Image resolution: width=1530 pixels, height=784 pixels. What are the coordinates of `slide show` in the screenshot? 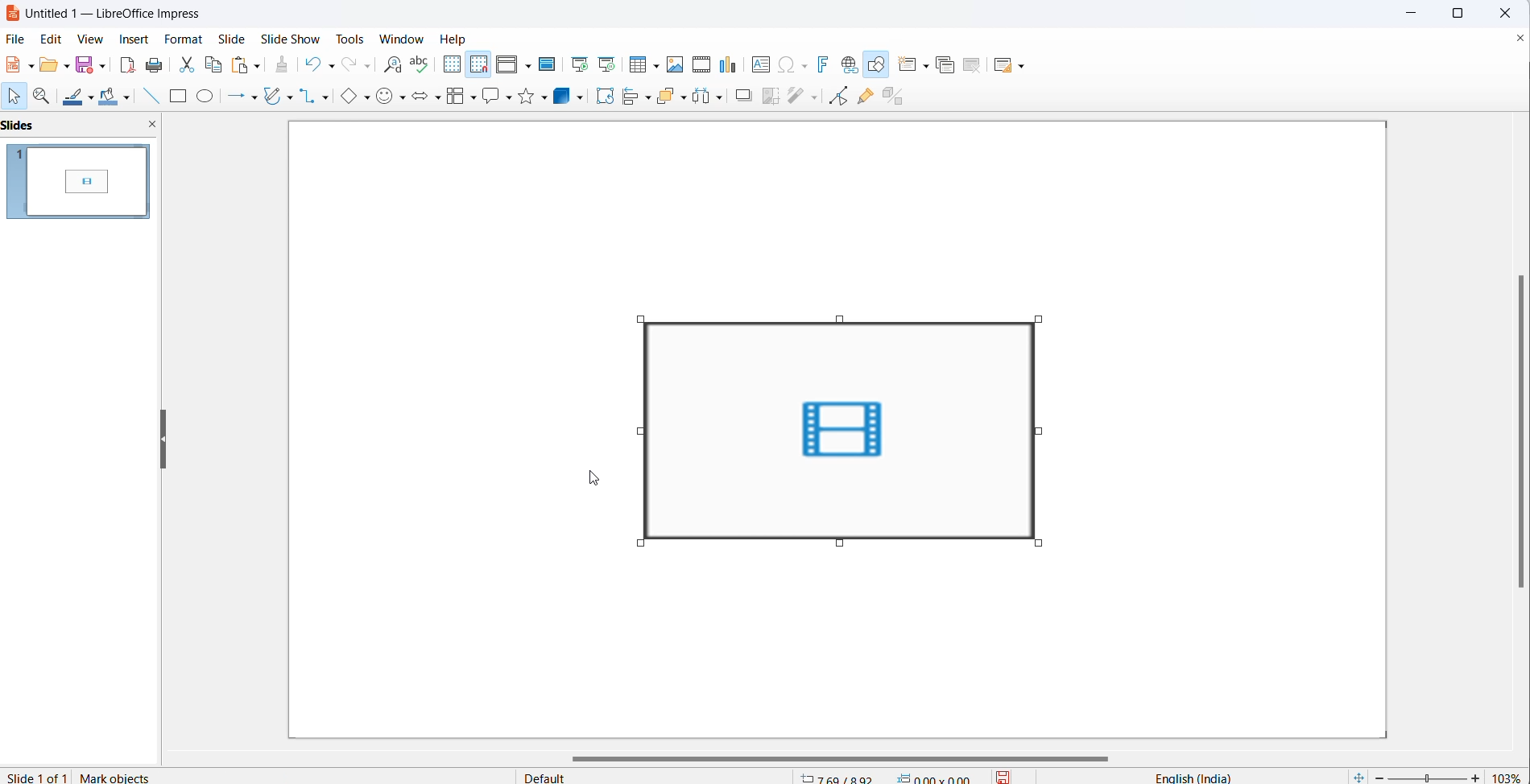 It's located at (292, 39).